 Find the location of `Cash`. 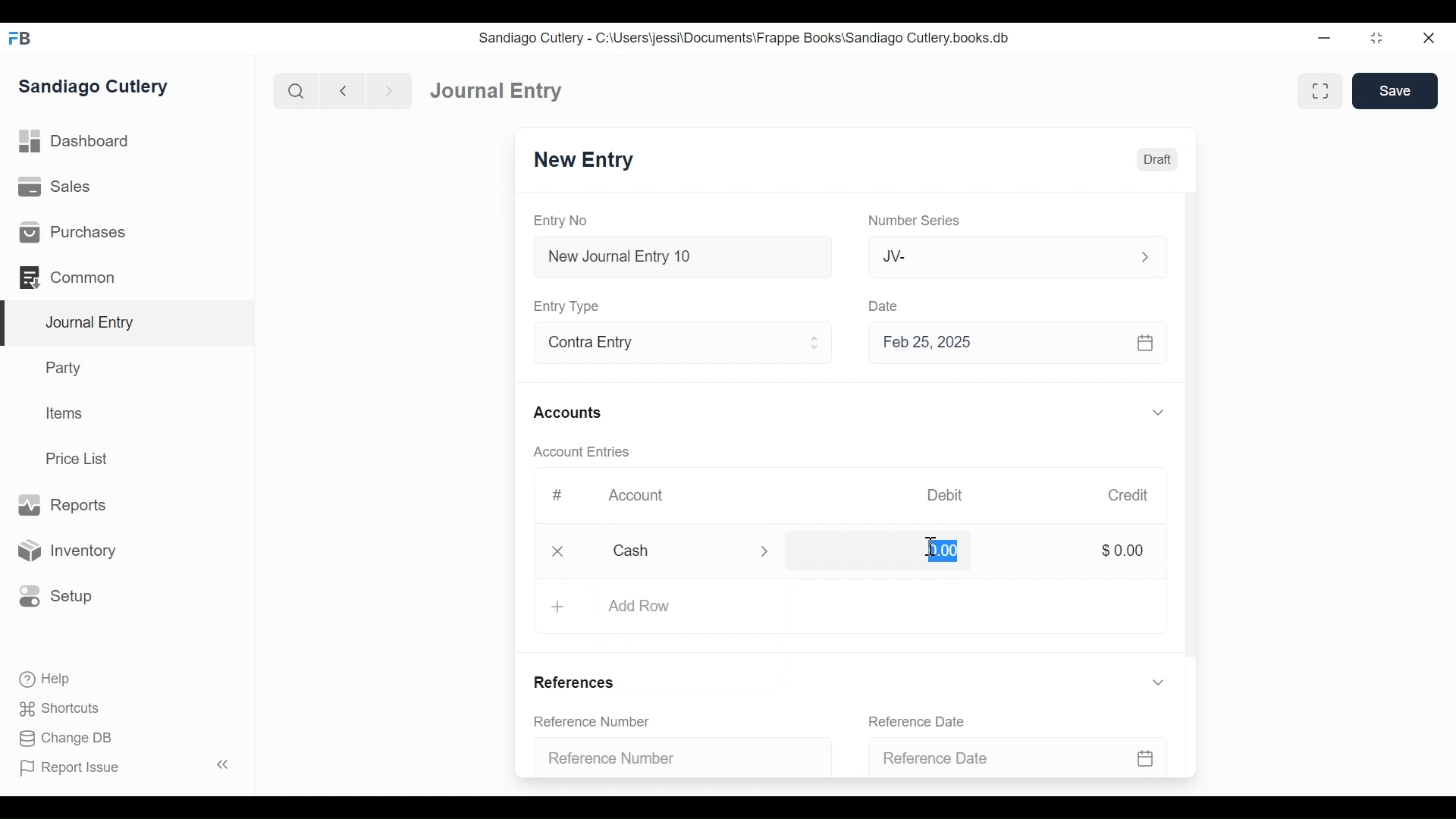

Cash is located at coordinates (676, 550).